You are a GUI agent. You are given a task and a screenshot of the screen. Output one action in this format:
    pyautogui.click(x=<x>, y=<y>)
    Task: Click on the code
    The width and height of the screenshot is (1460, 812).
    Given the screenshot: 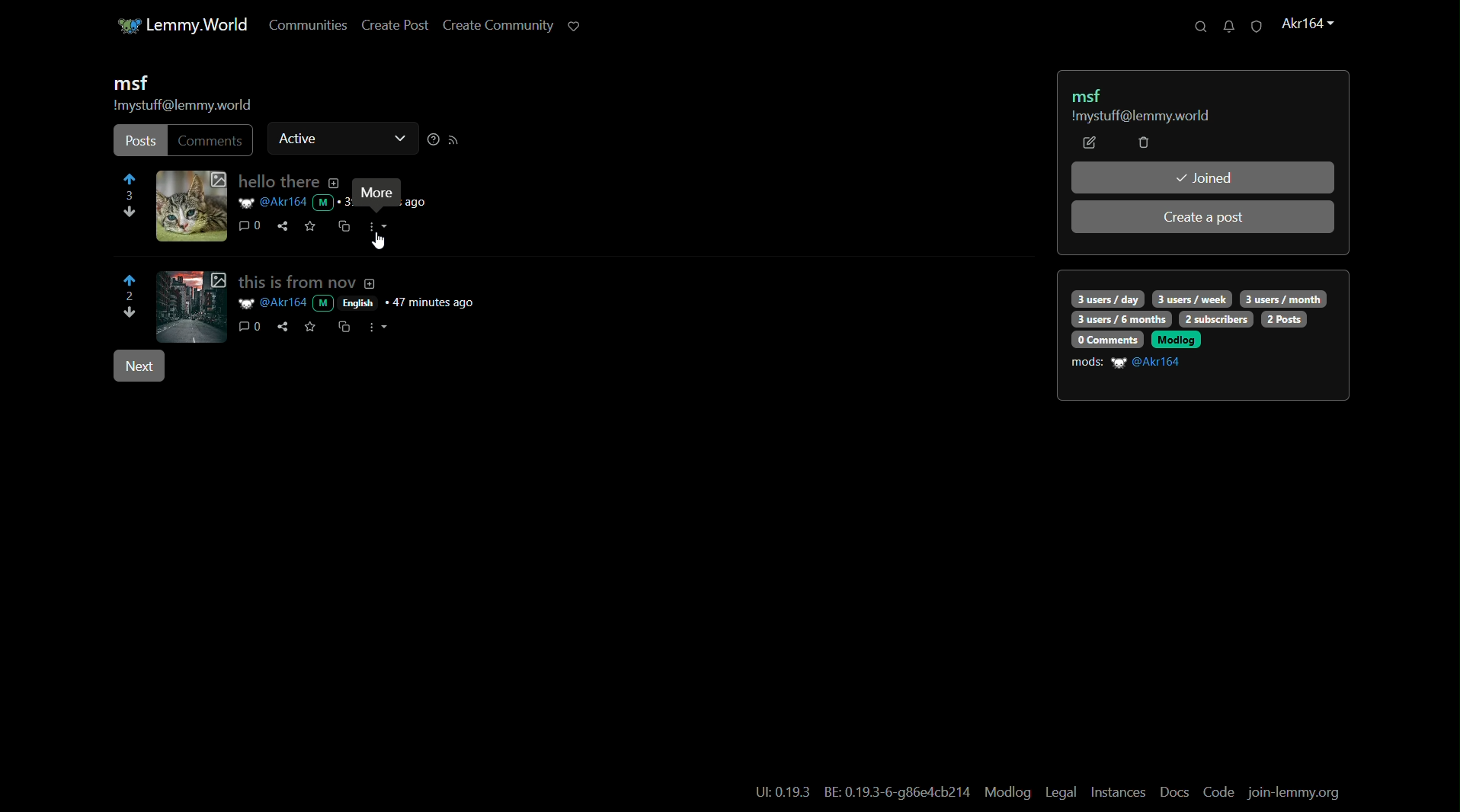 What is the action you would take?
    pyautogui.click(x=1218, y=793)
    